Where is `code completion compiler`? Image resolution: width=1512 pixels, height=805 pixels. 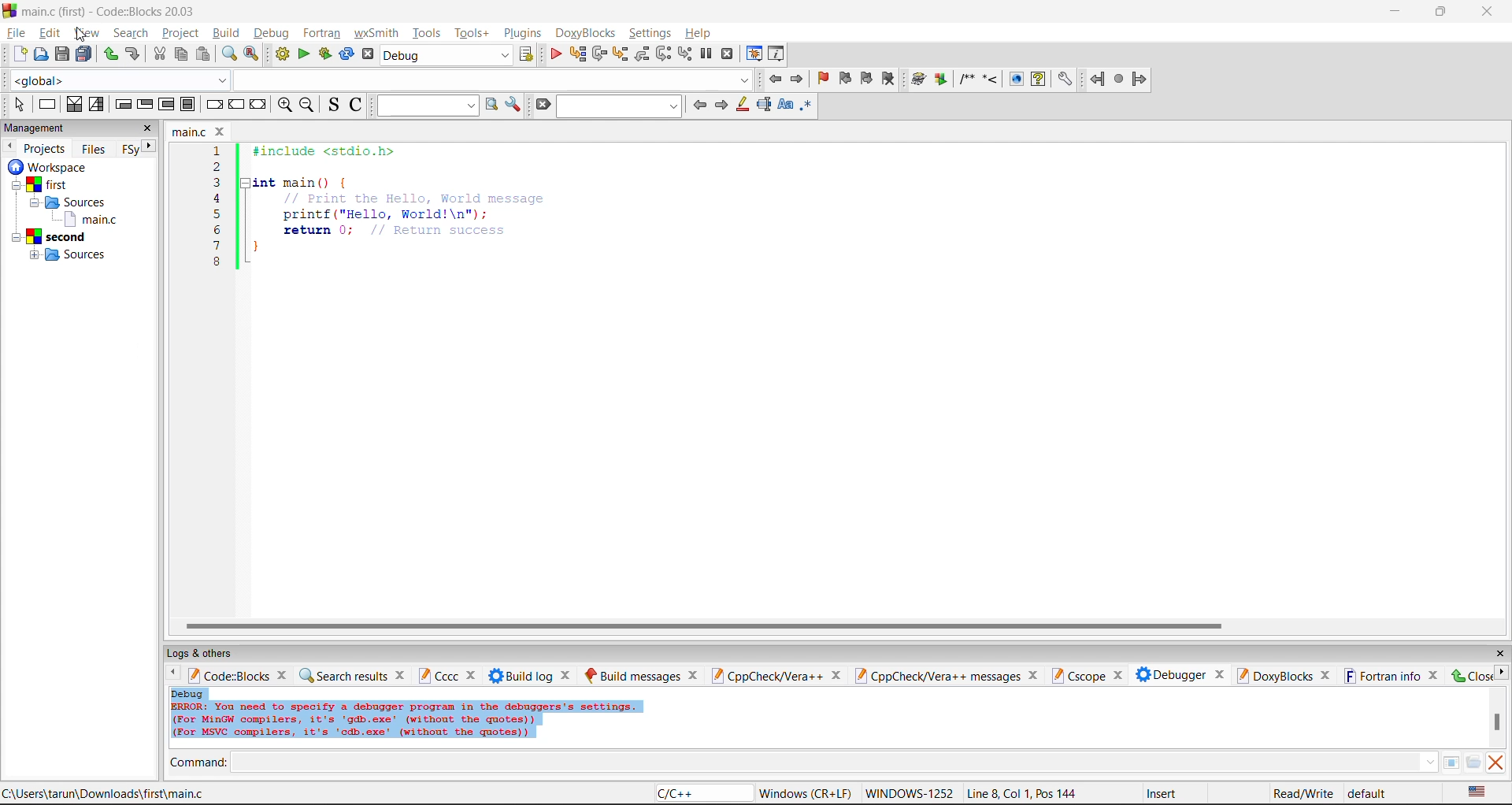
code completion compiler is located at coordinates (379, 81).